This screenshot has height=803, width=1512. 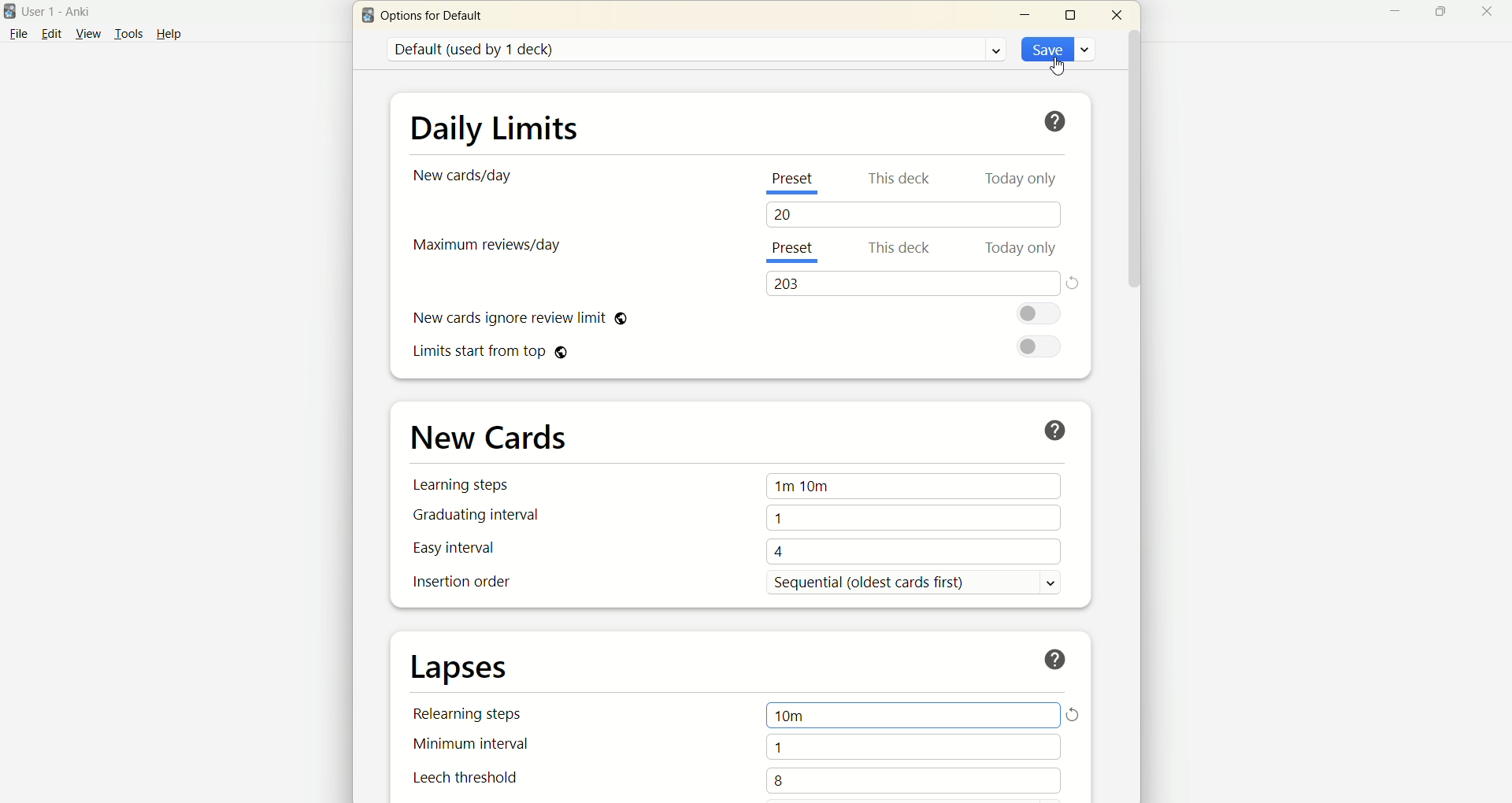 What do you see at coordinates (1025, 183) in the screenshot?
I see `today only` at bounding box center [1025, 183].